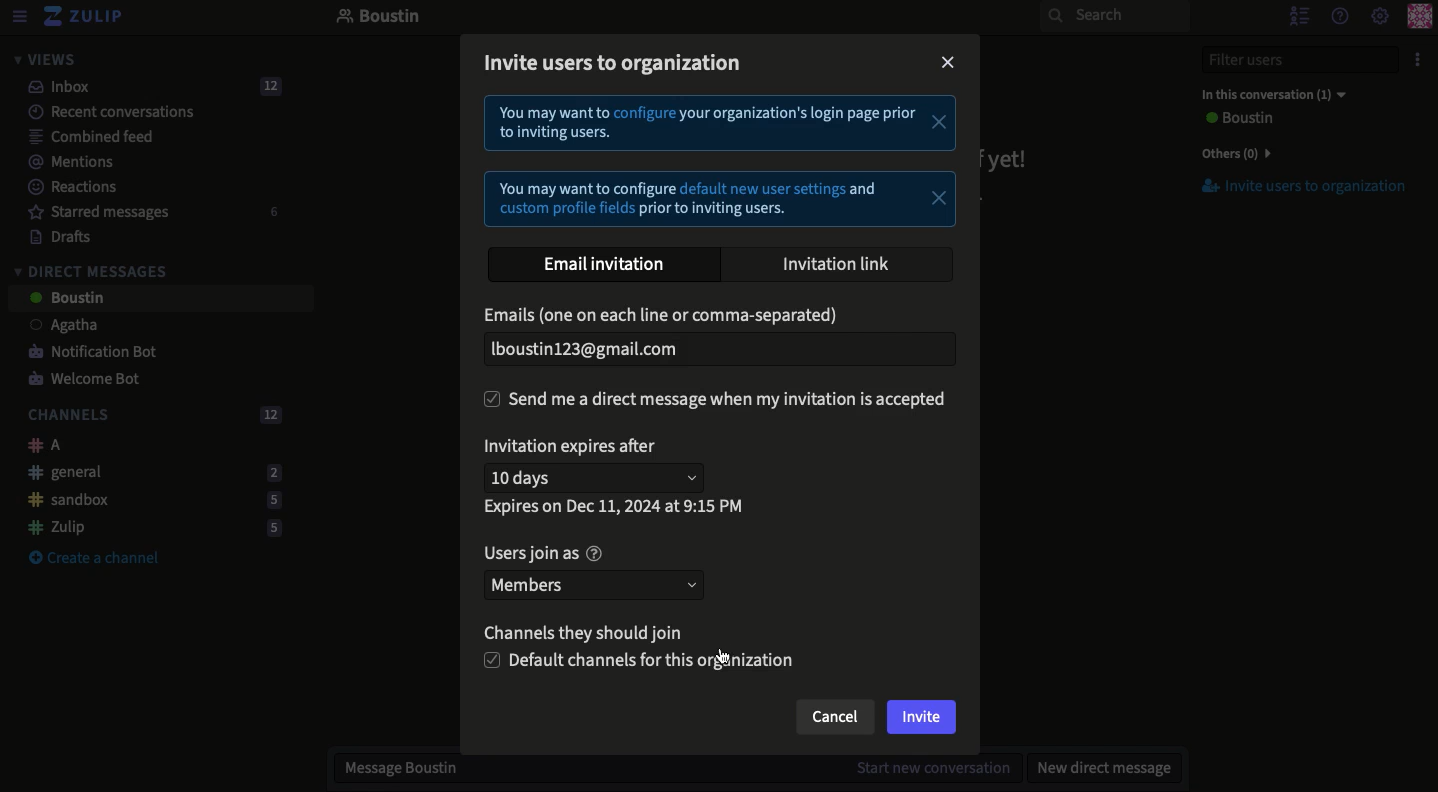  I want to click on Channels, so click(150, 416).